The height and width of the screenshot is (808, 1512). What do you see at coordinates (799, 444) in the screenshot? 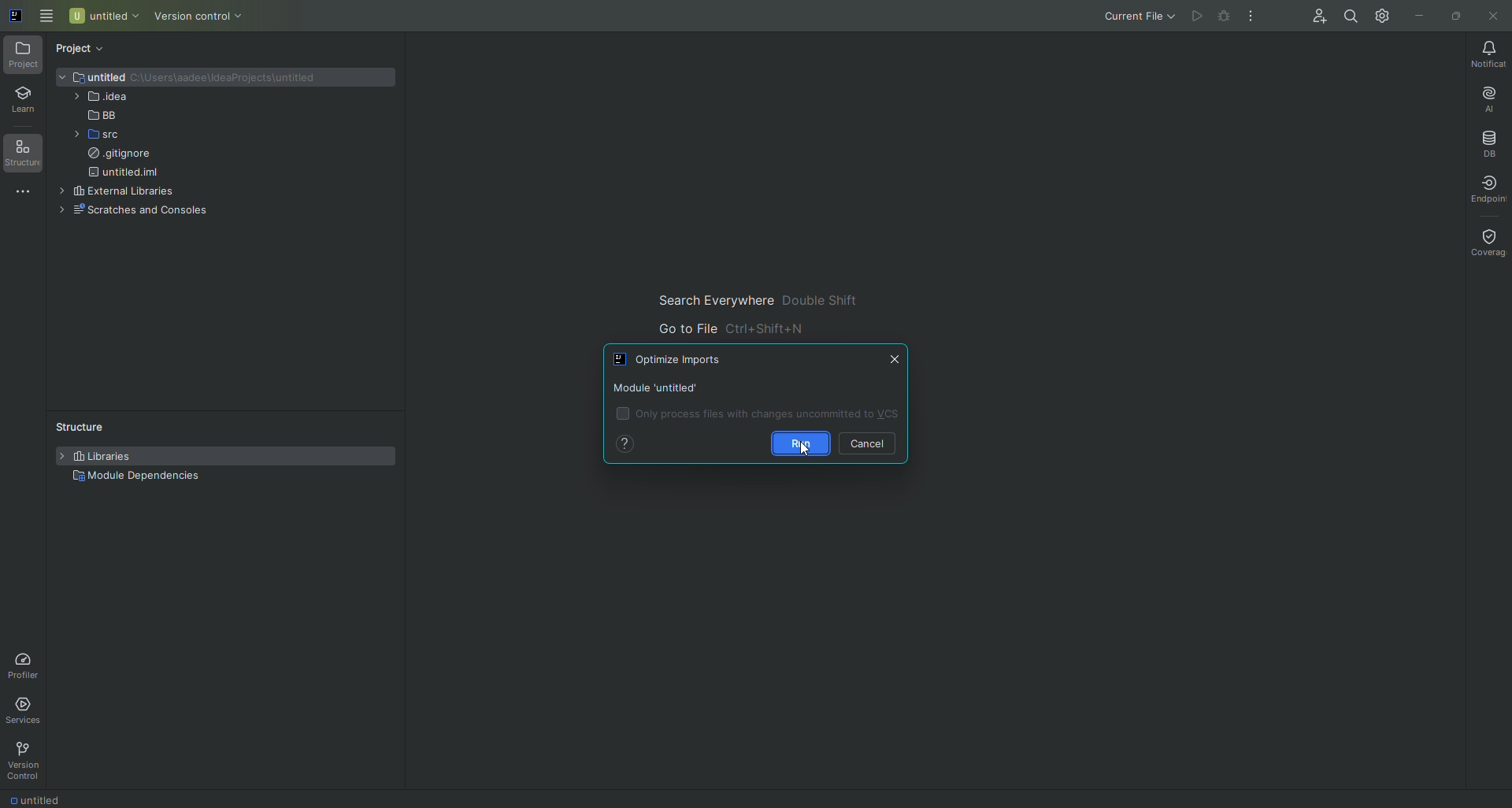
I see `Run` at bounding box center [799, 444].